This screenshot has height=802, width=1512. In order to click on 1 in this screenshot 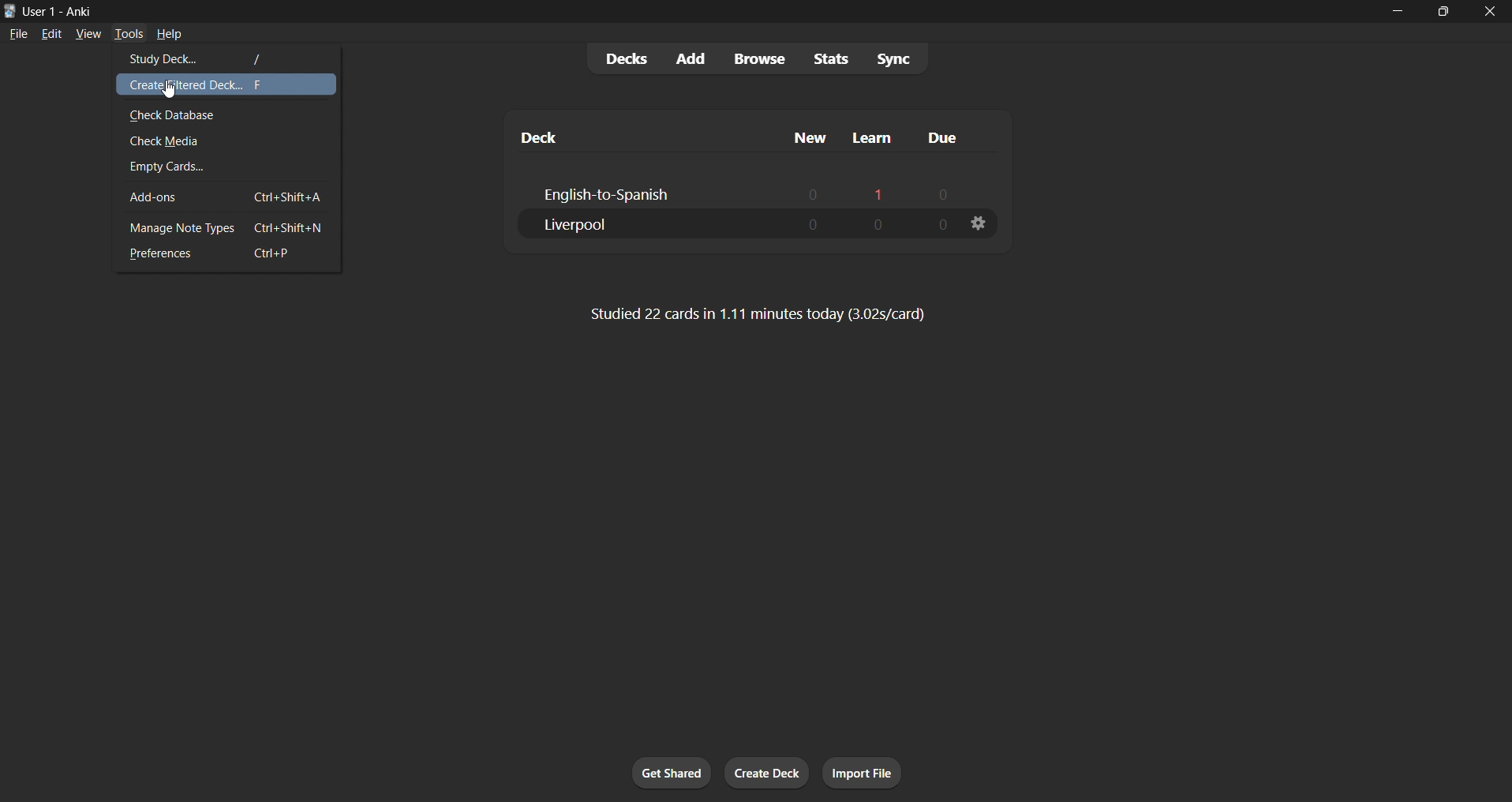, I will do `click(877, 191)`.